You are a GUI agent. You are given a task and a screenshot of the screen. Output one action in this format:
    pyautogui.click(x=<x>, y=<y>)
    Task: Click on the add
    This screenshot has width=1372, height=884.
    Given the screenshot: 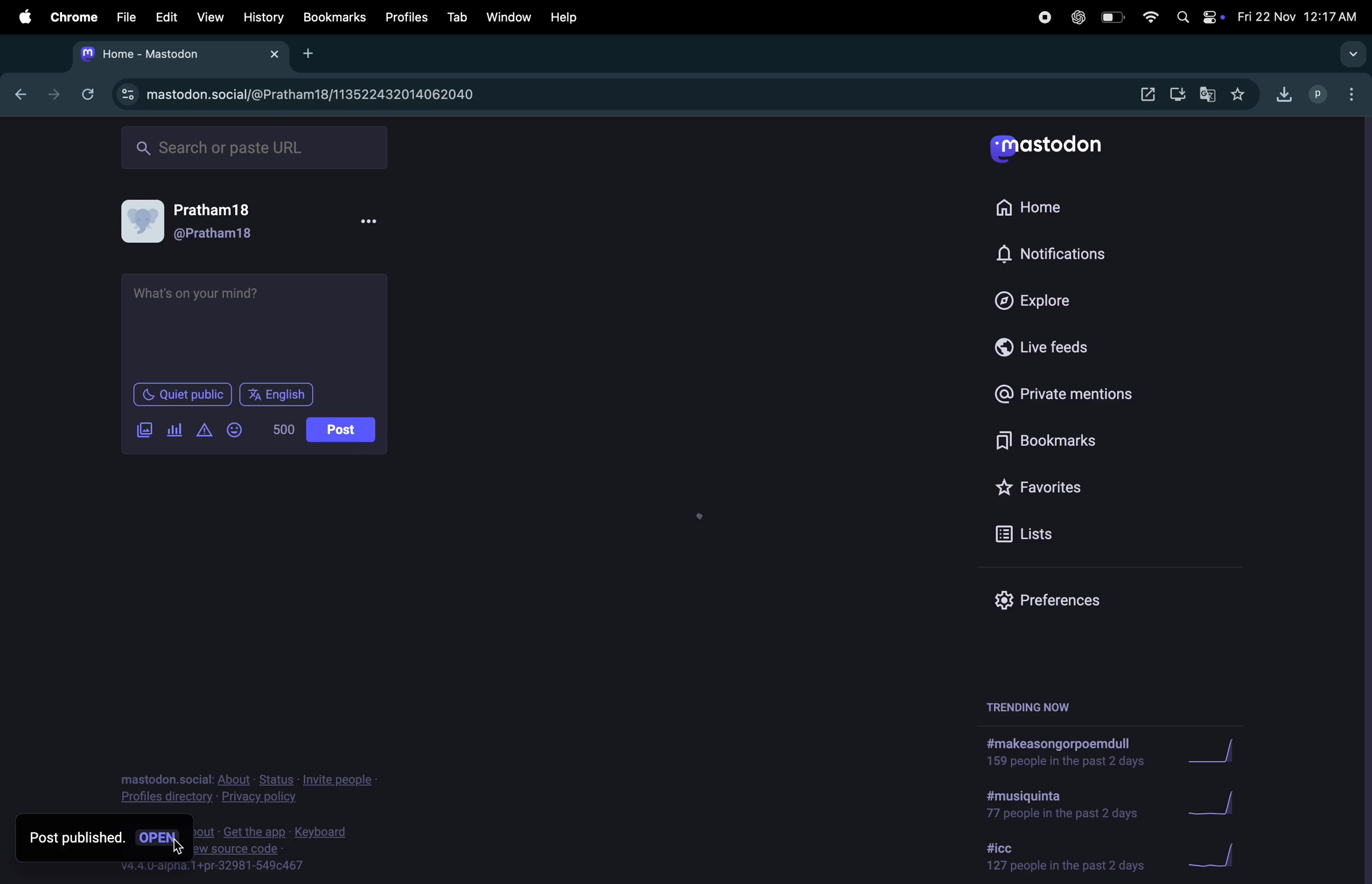 What is the action you would take?
    pyautogui.click(x=308, y=55)
    